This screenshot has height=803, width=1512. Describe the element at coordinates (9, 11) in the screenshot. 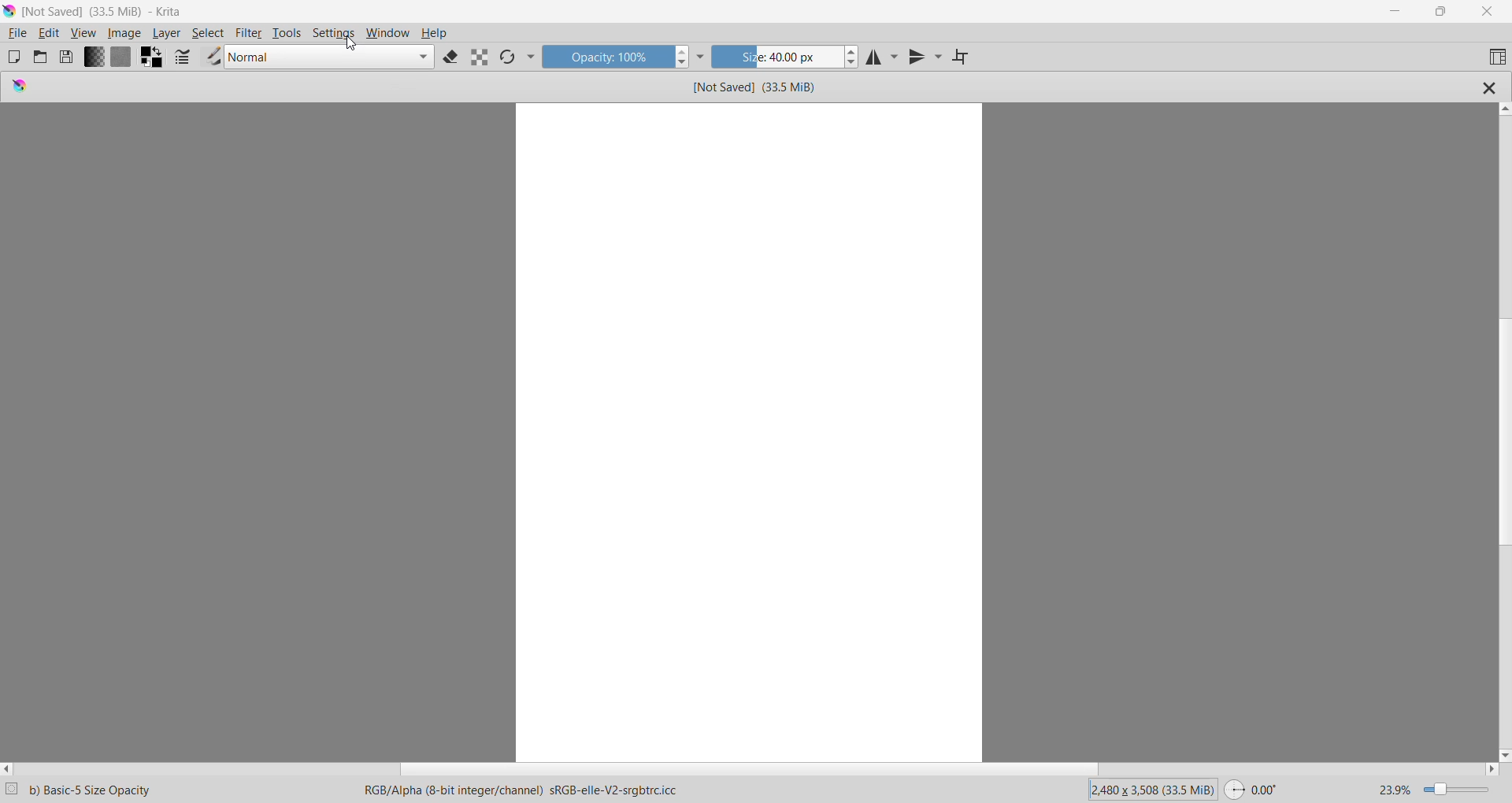

I see `Application Logo` at that location.